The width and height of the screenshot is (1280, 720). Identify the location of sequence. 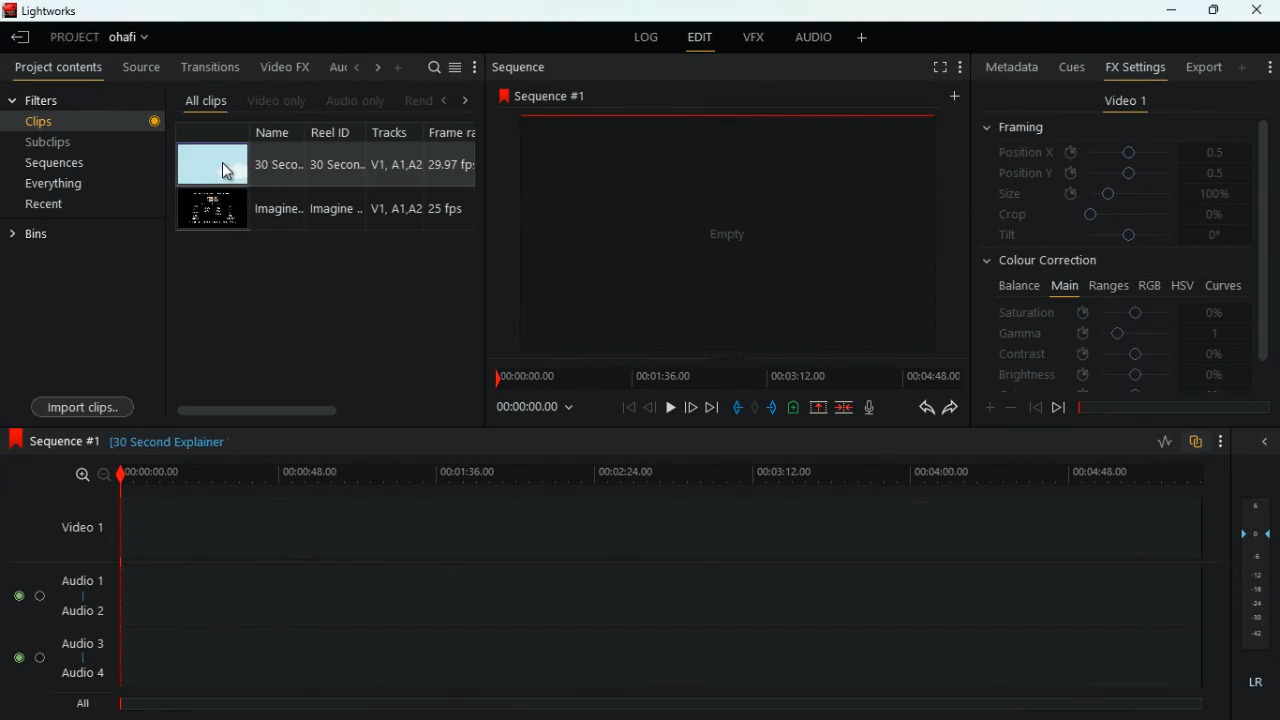
(522, 68).